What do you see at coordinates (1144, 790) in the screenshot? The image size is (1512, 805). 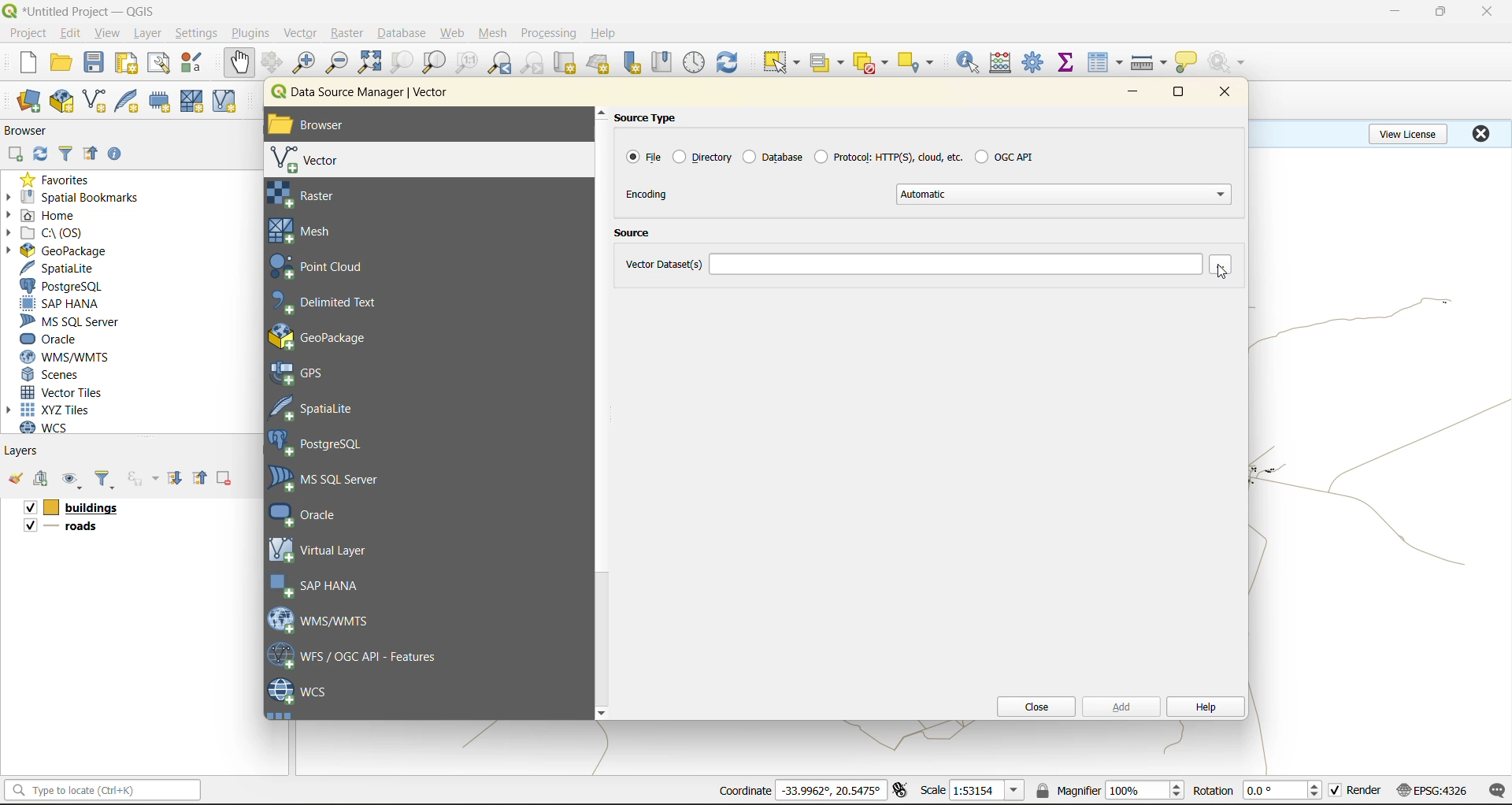 I see `magnifier` at bounding box center [1144, 790].